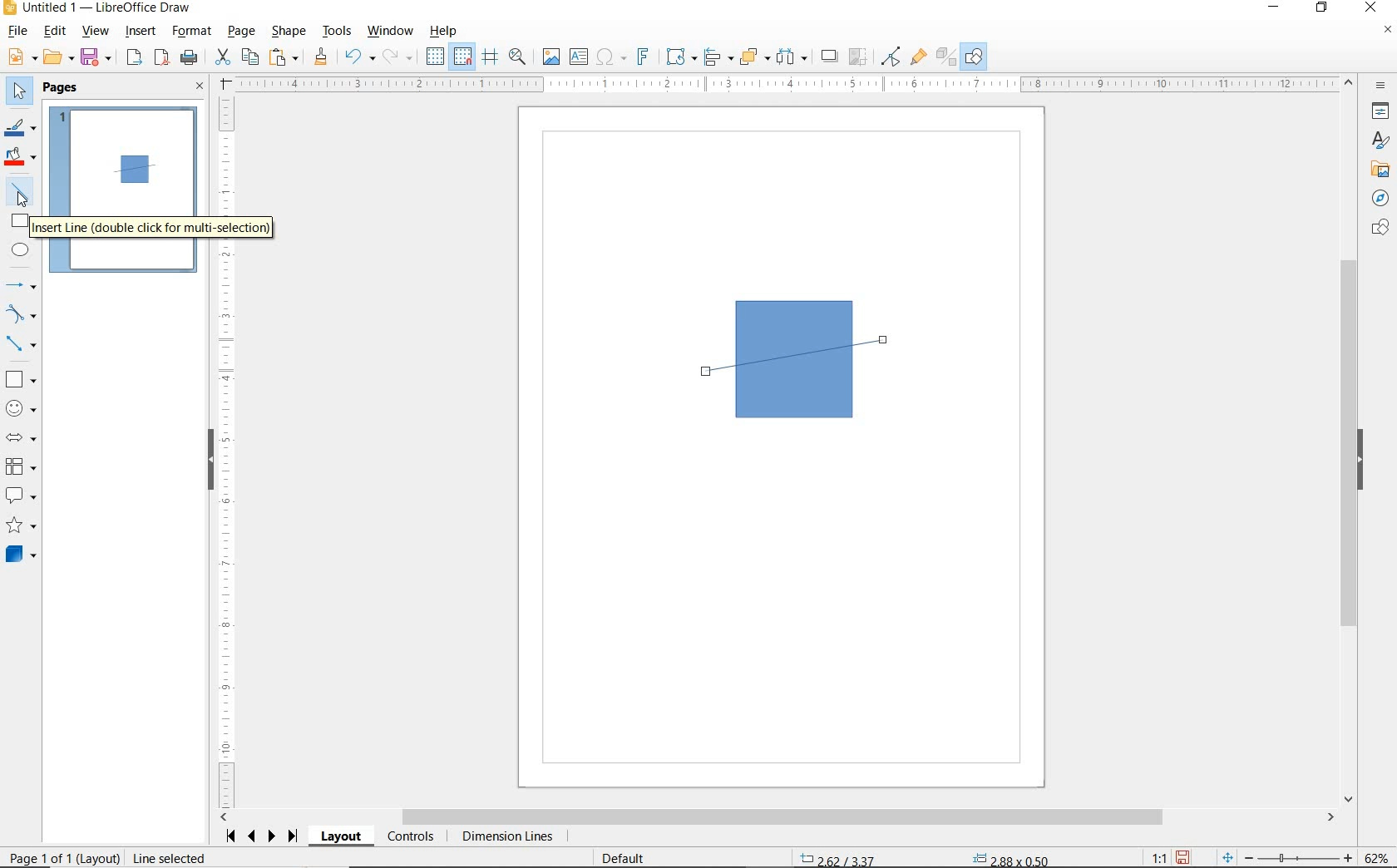 This screenshot has height=868, width=1397. Describe the element at coordinates (256, 857) in the screenshot. I see `Resize shape` at that location.